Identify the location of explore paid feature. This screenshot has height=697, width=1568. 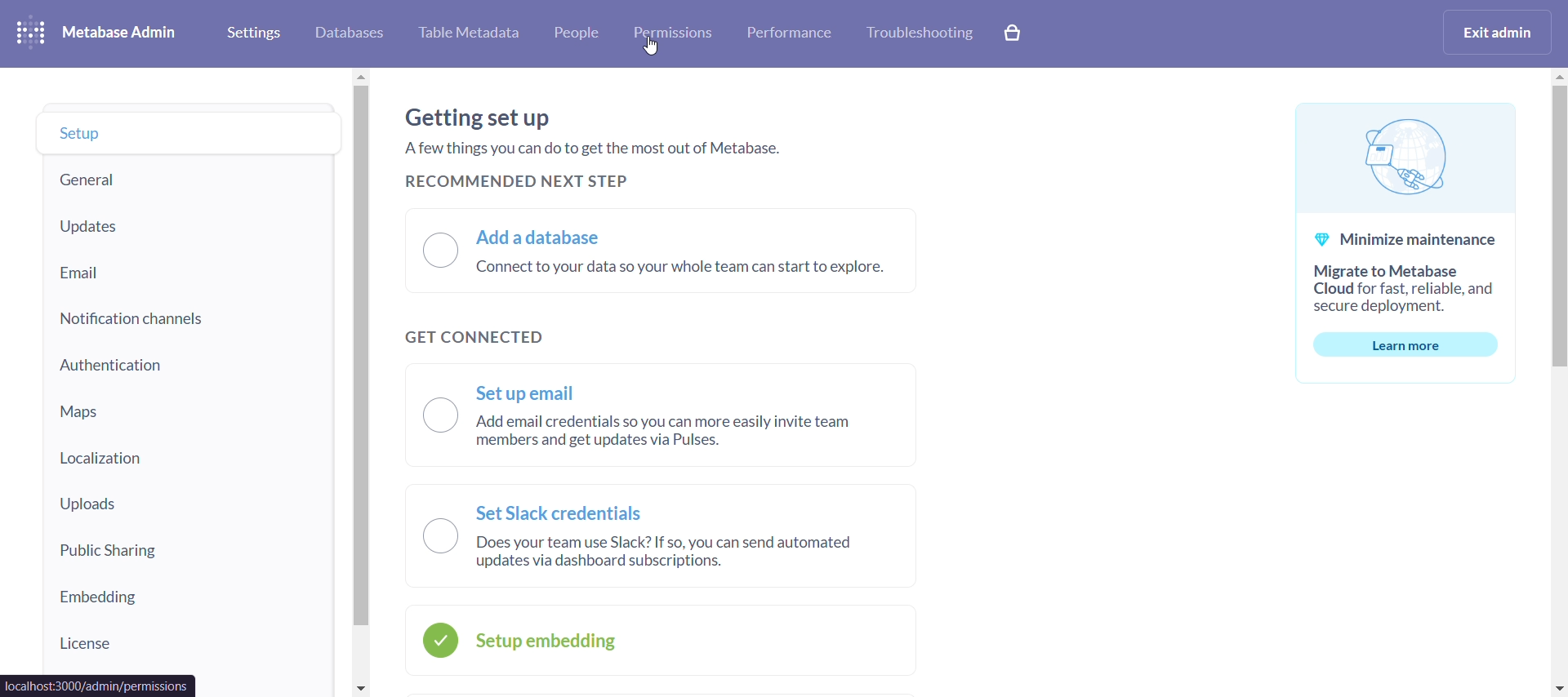
(1013, 33).